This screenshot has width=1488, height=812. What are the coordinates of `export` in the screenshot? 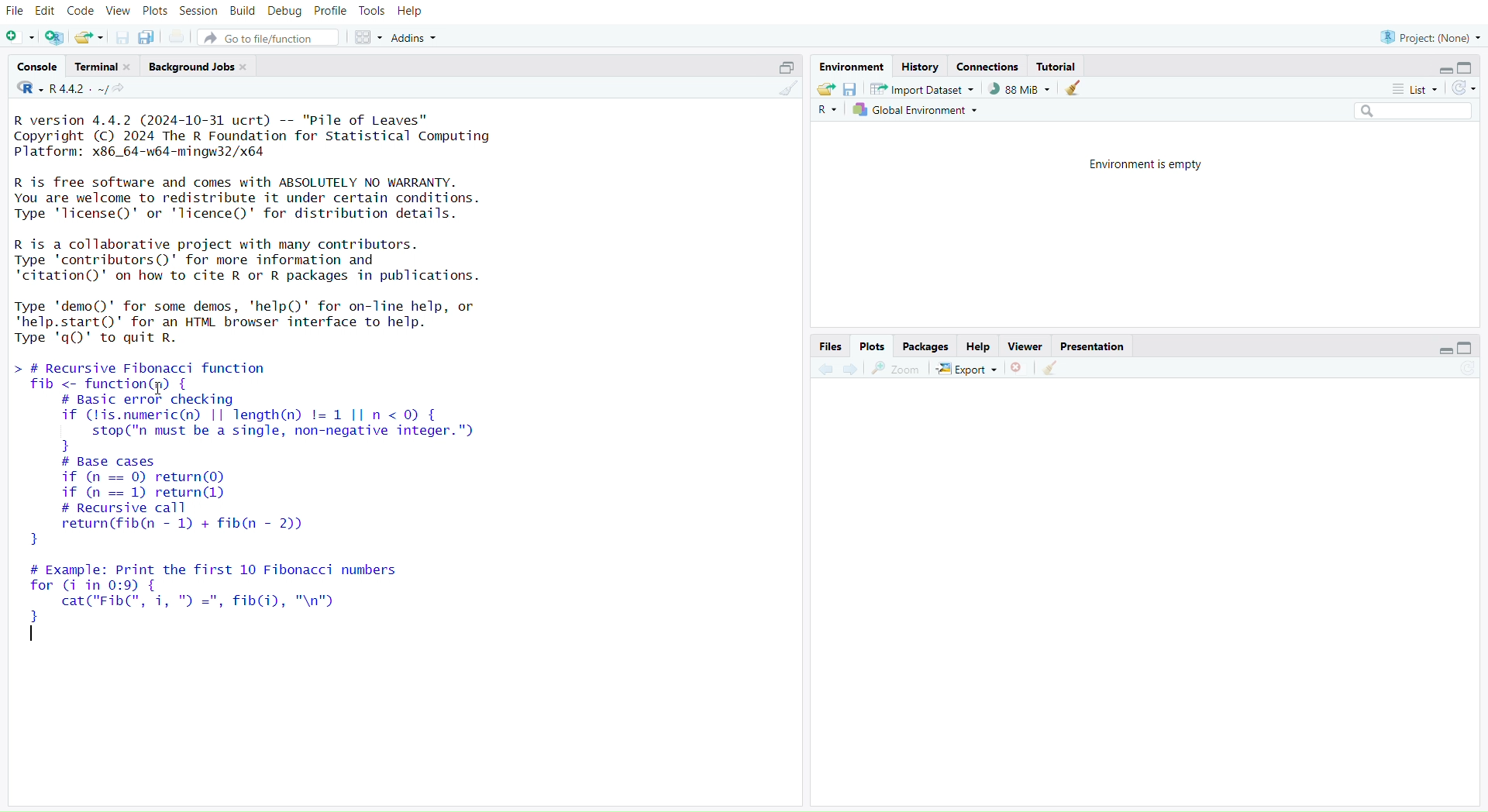 It's located at (968, 370).